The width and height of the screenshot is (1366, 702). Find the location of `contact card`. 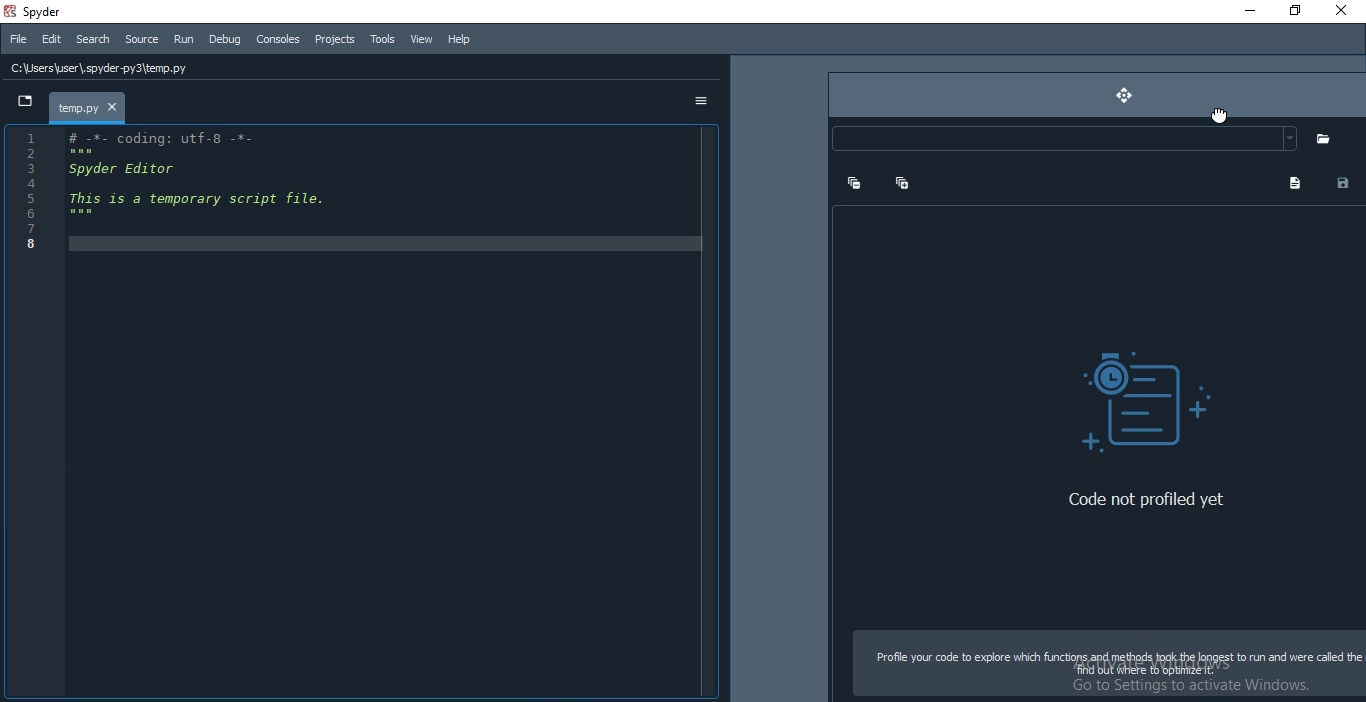

contact card is located at coordinates (1343, 183).